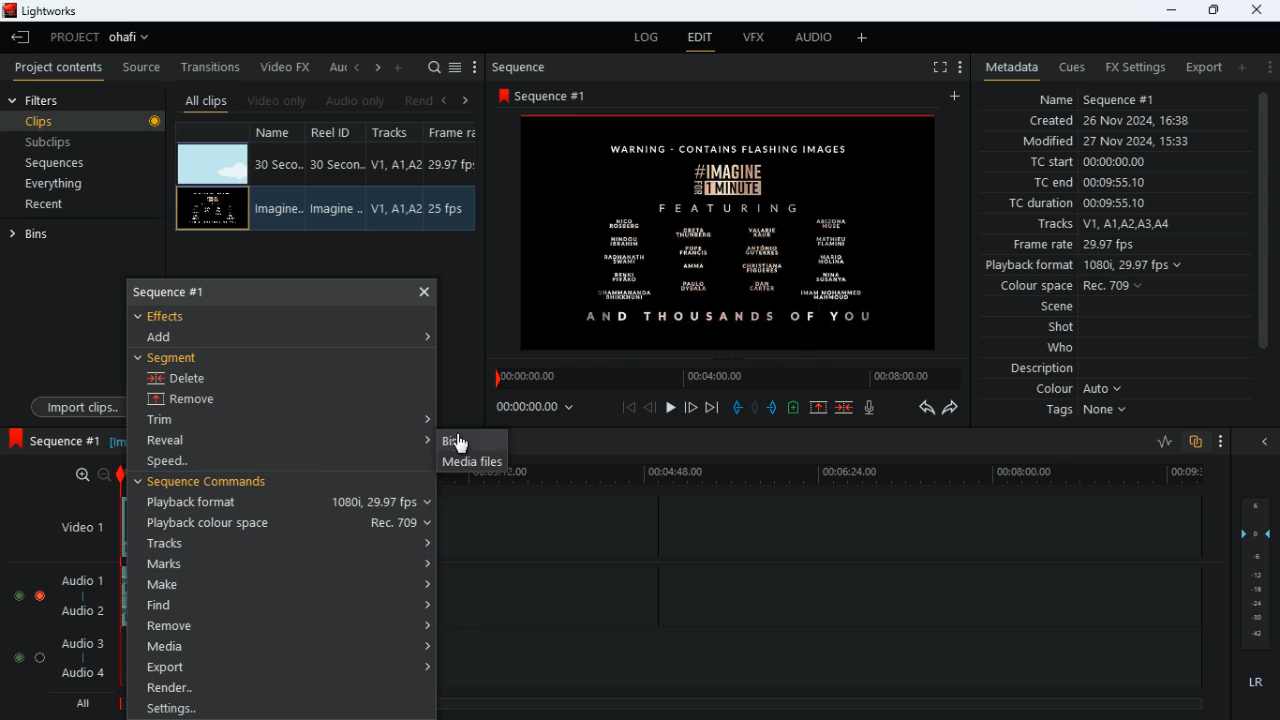  What do you see at coordinates (863, 39) in the screenshot?
I see `add` at bounding box center [863, 39].